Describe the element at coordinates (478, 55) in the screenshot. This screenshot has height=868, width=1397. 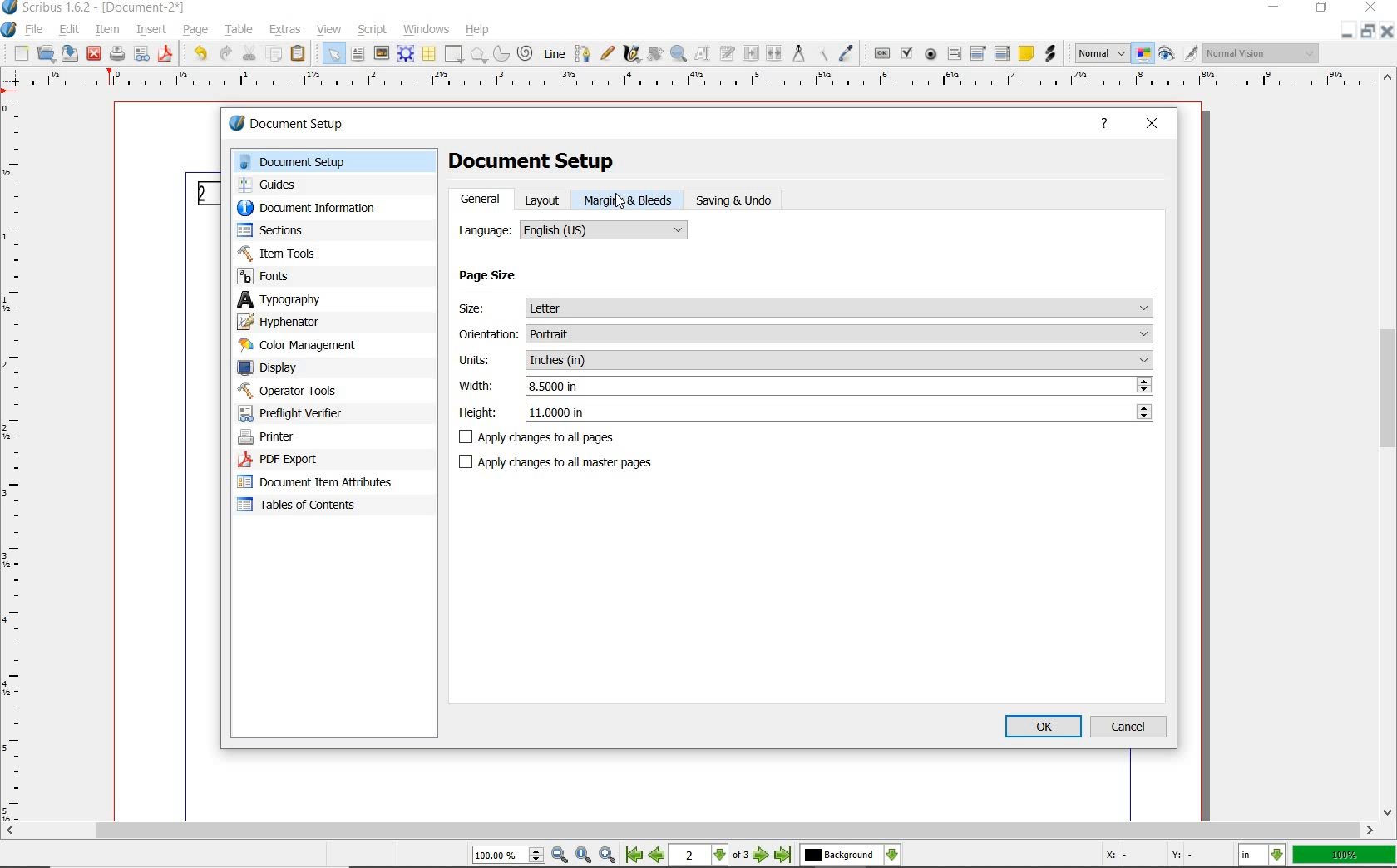
I see `polygon` at that location.